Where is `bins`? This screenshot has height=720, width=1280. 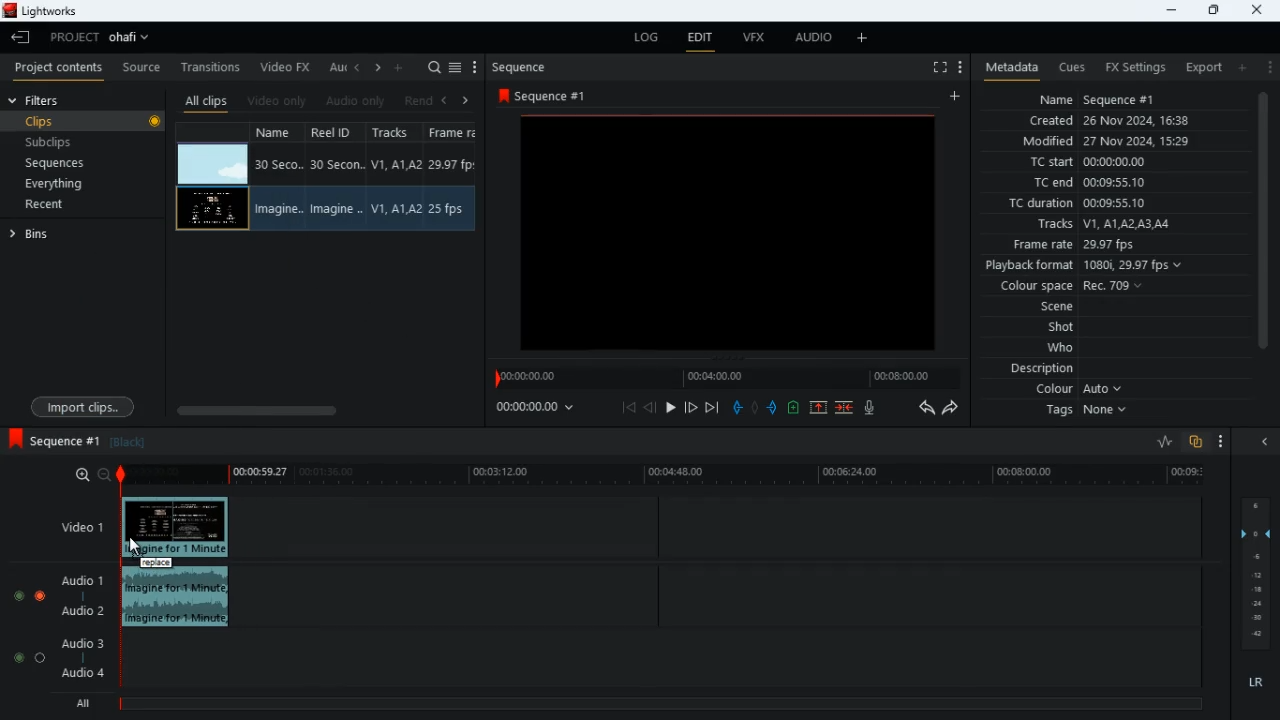 bins is located at coordinates (82, 233).